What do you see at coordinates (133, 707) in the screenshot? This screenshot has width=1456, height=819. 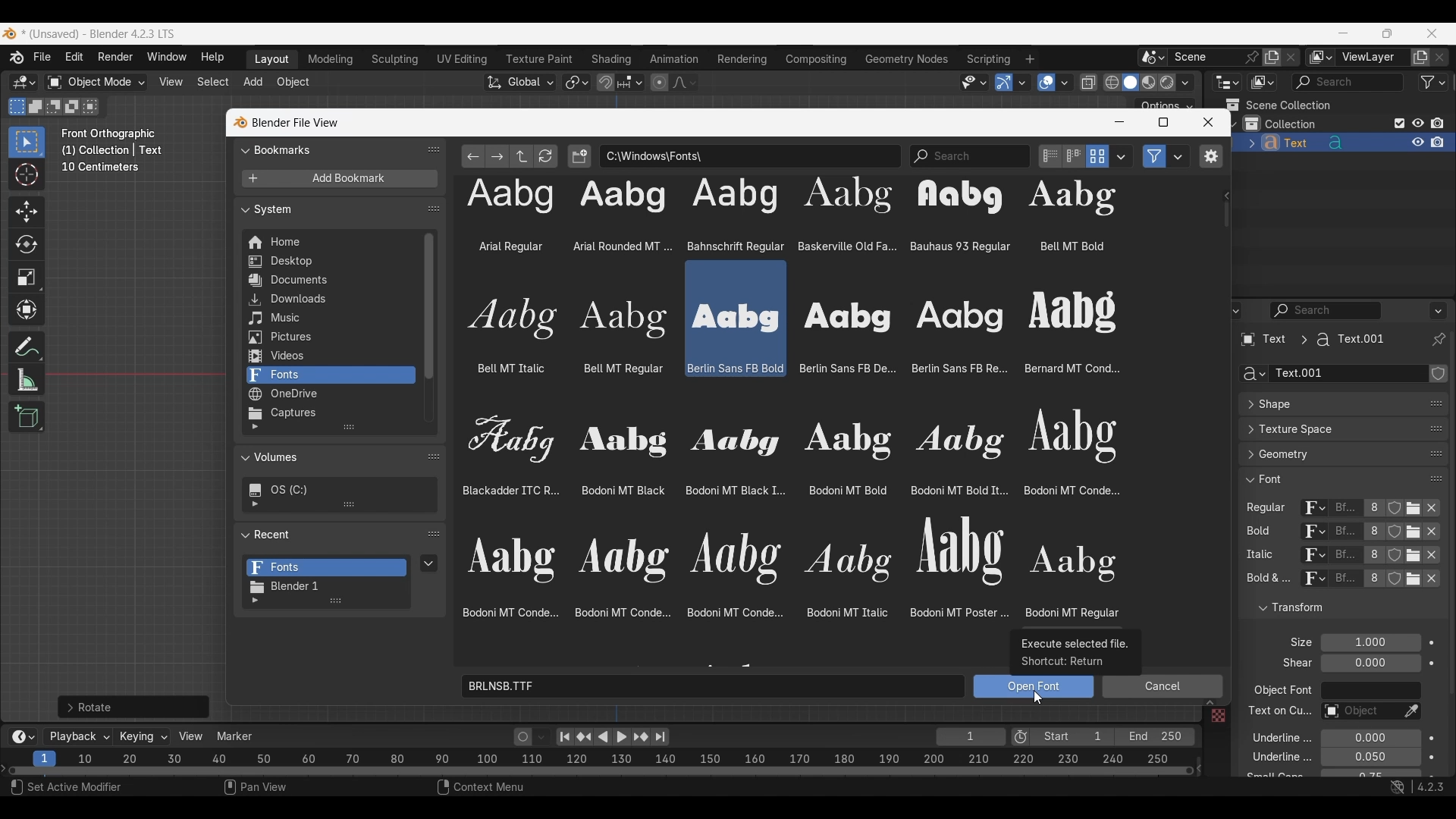 I see `For further rotation` at bounding box center [133, 707].